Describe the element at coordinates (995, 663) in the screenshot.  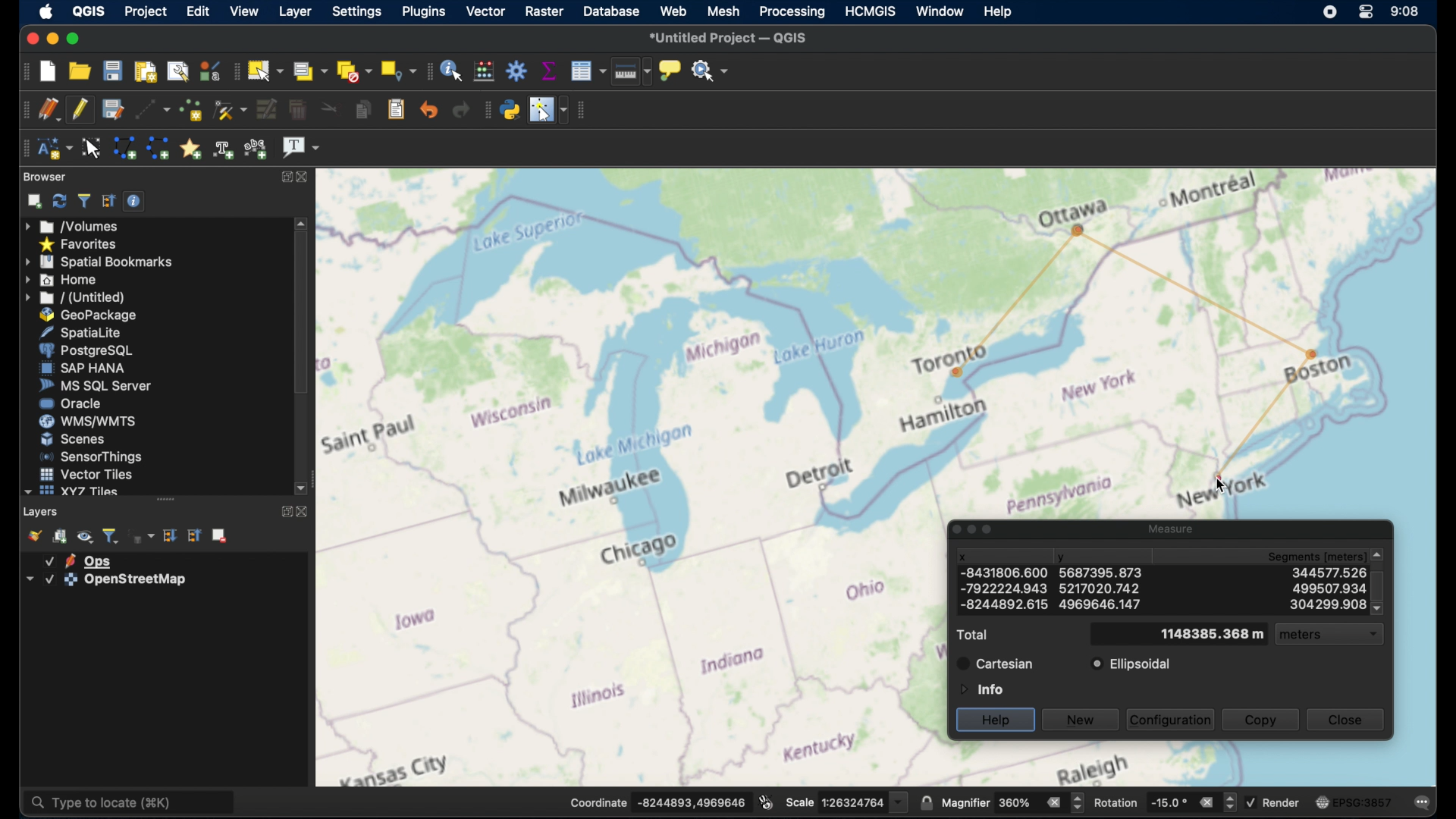
I see `cartesian` at that location.